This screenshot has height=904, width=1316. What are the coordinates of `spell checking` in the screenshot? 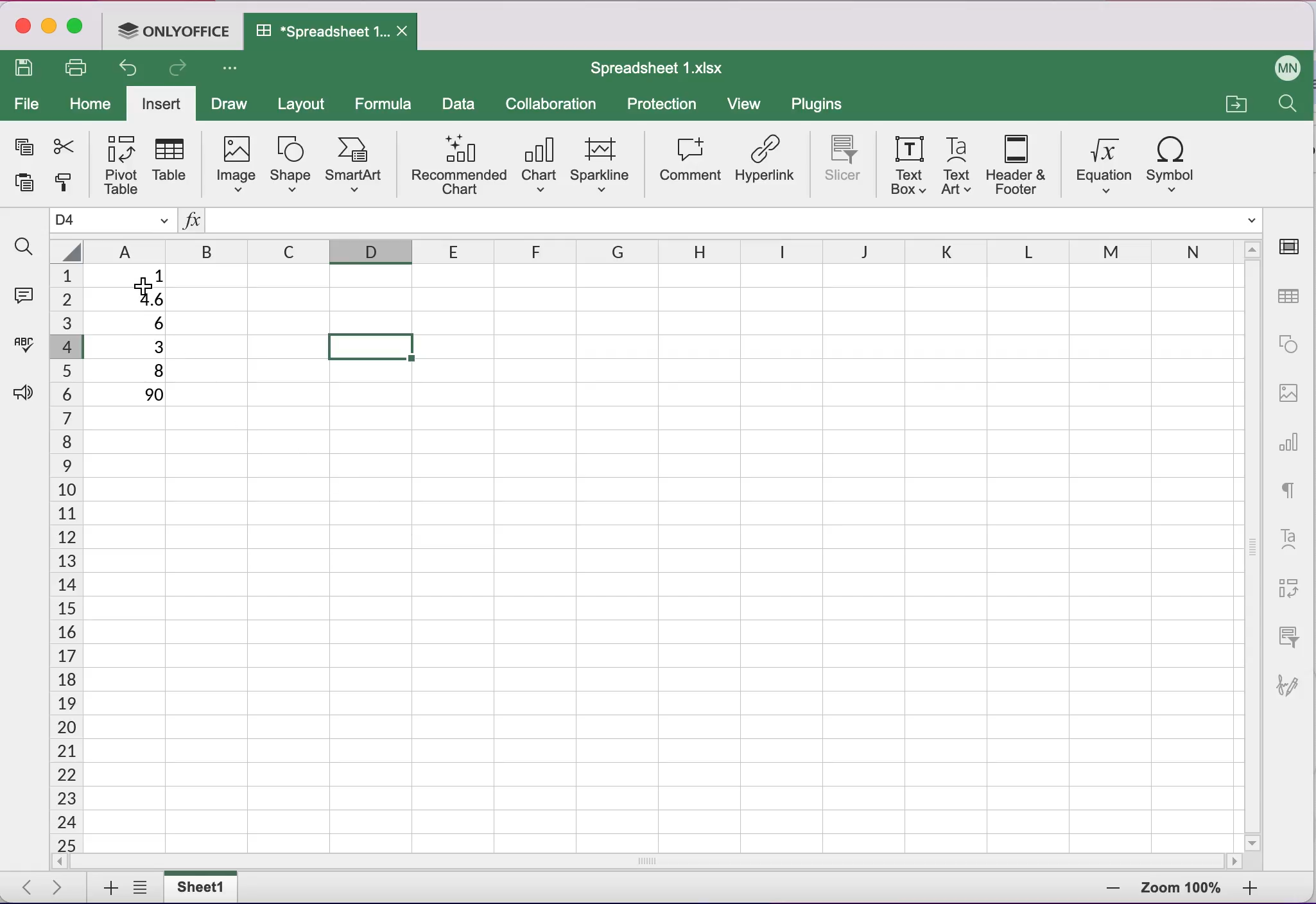 It's located at (22, 345).